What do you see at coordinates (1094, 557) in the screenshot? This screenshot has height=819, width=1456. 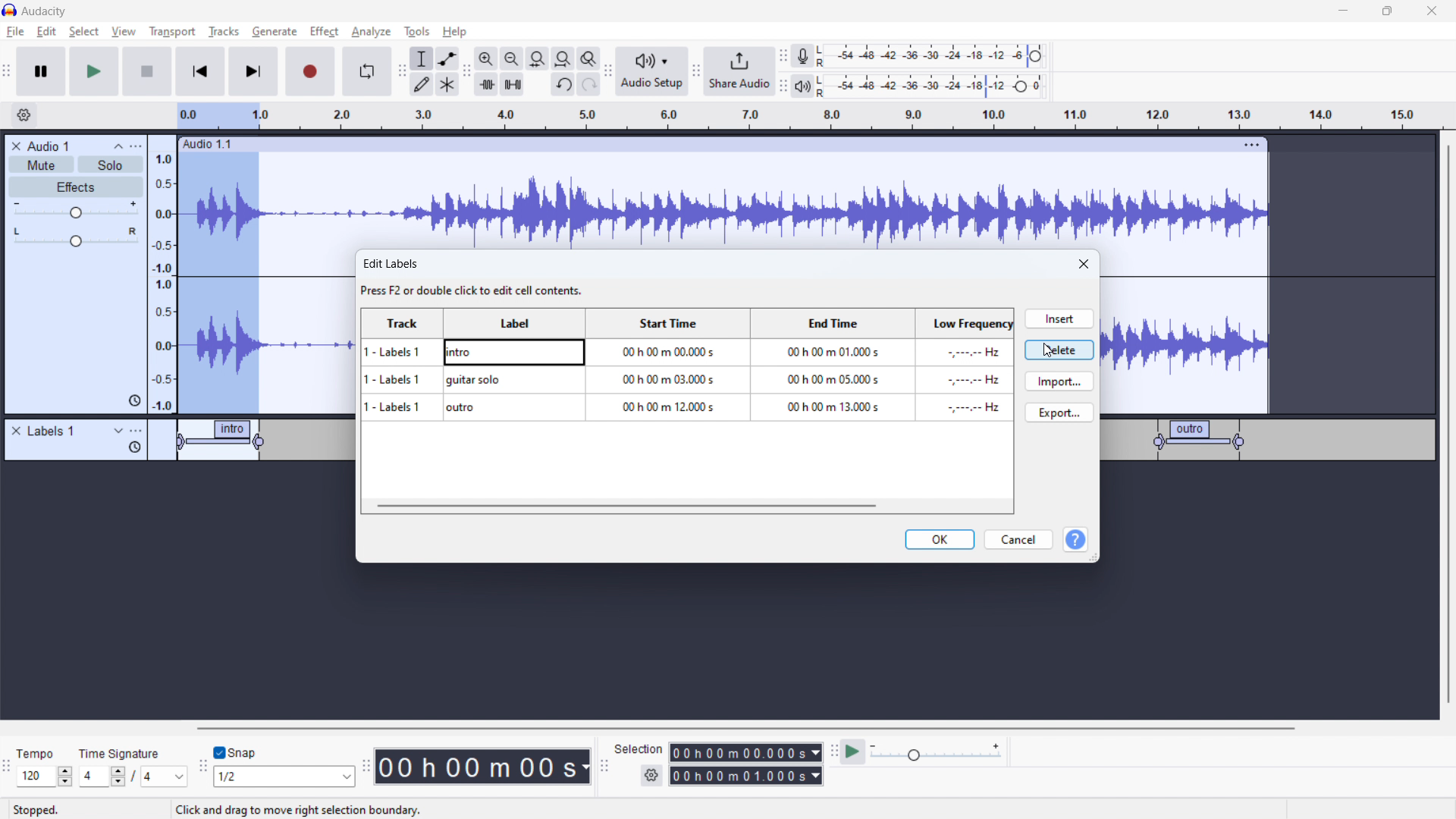 I see `resize` at bounding box center [1094, 557].